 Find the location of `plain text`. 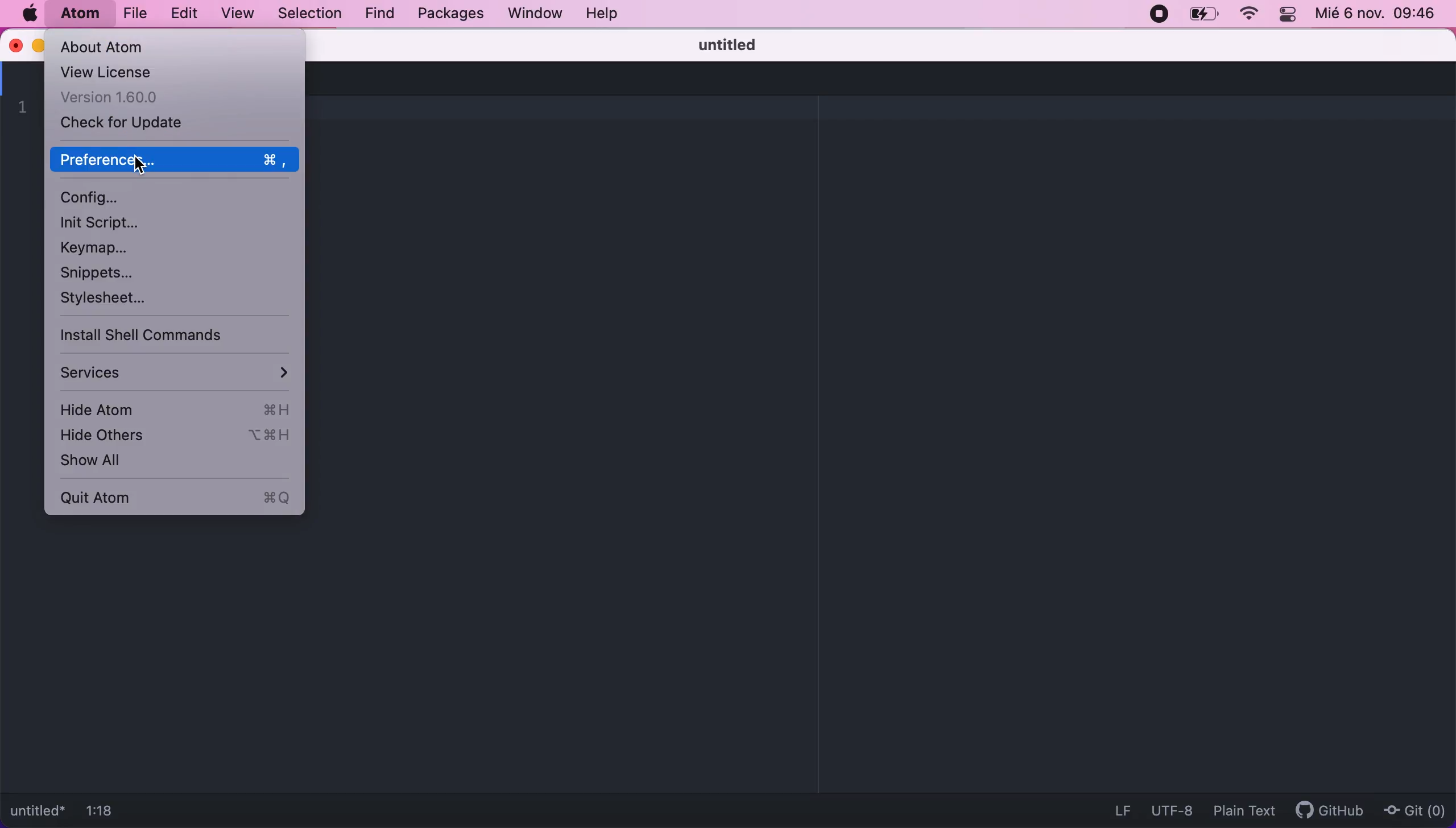

plain text is located at coordinates (1243, 809).